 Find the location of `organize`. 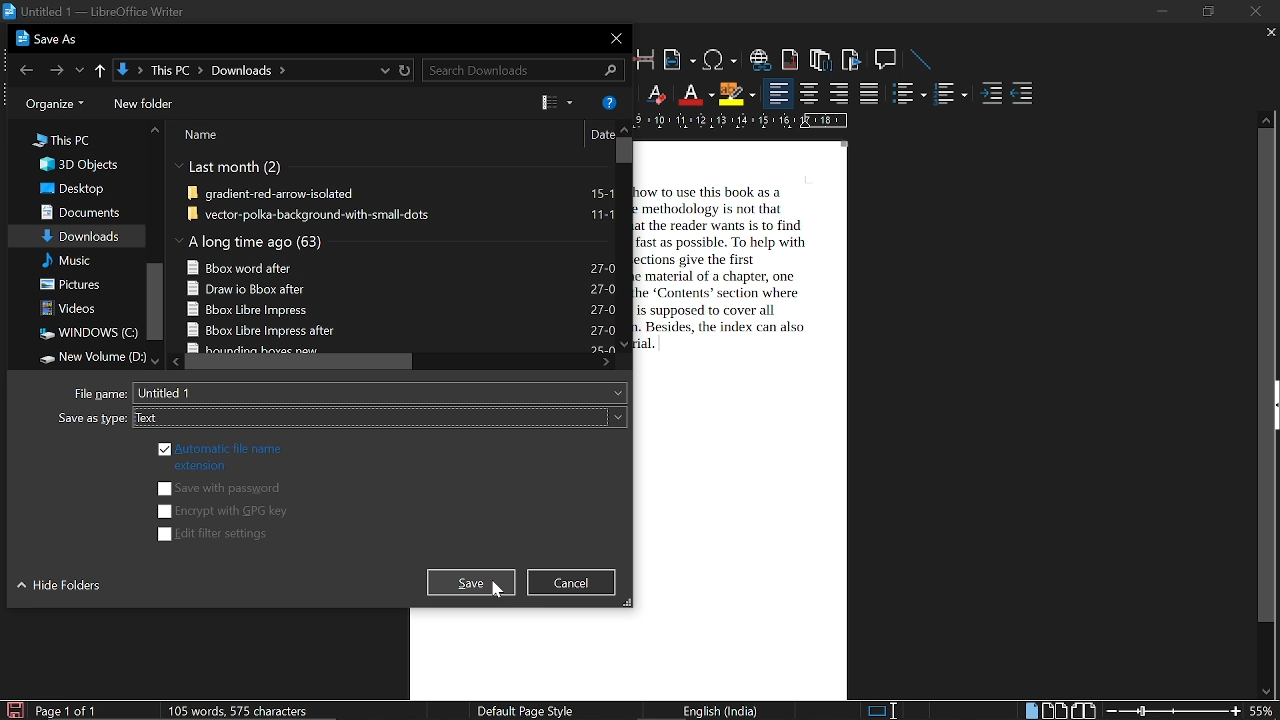

organize is located at coordinates (50, 104).